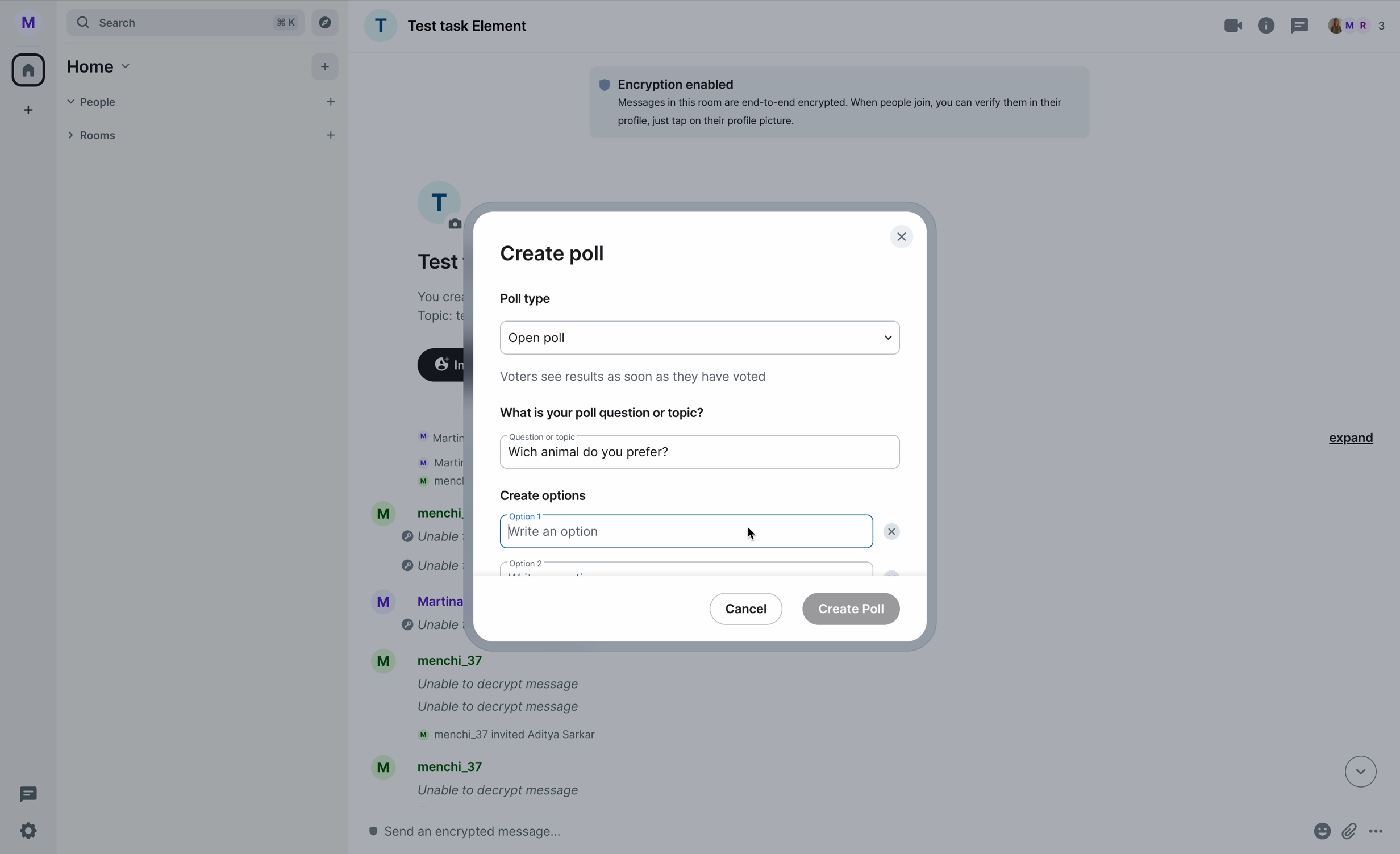 This screenshot has width=1400, height=854. I want to click on create options, so click(543, 497).